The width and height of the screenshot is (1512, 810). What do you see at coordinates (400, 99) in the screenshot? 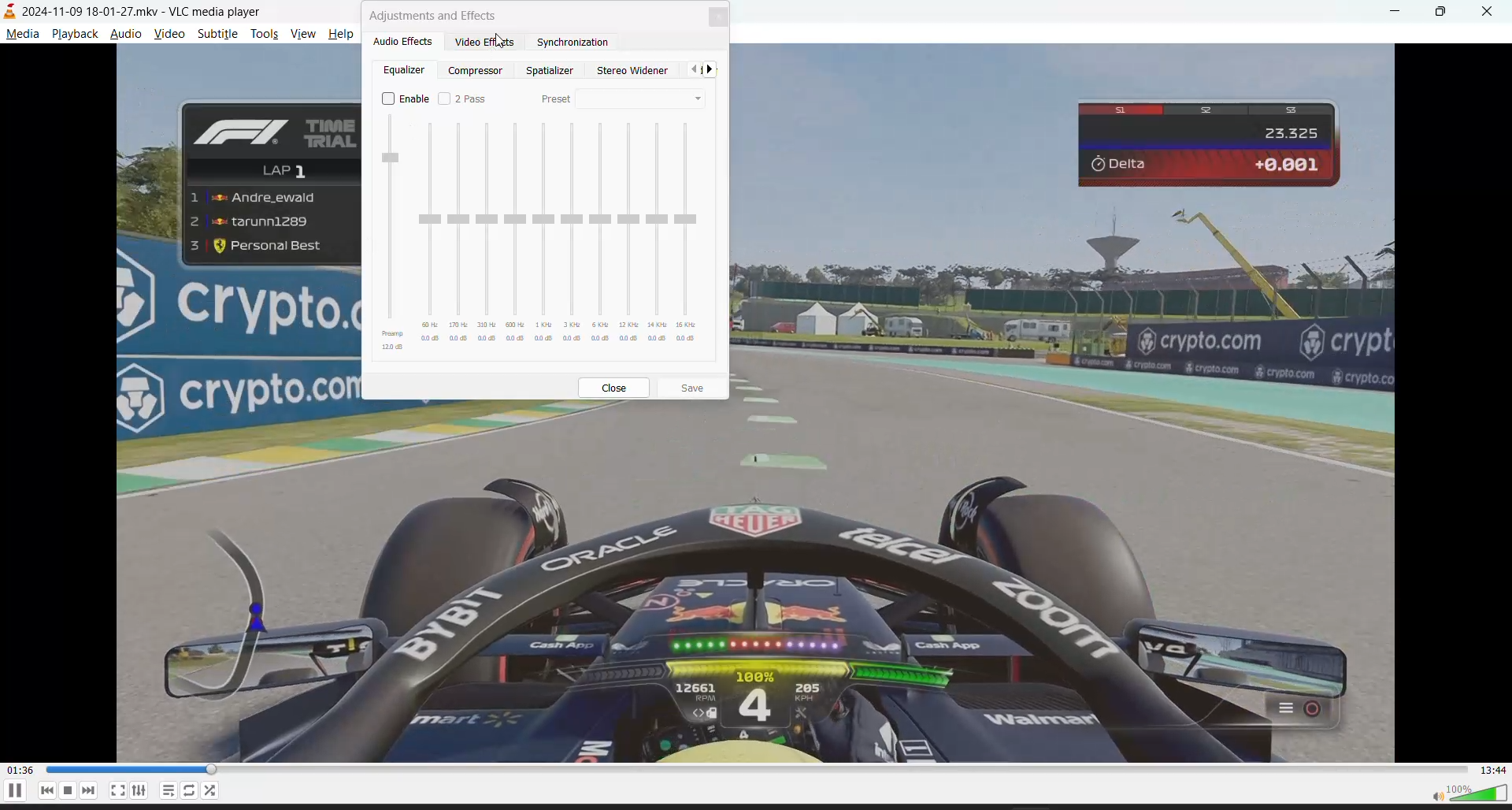
I see `enable` at bounding box center [400, 99].